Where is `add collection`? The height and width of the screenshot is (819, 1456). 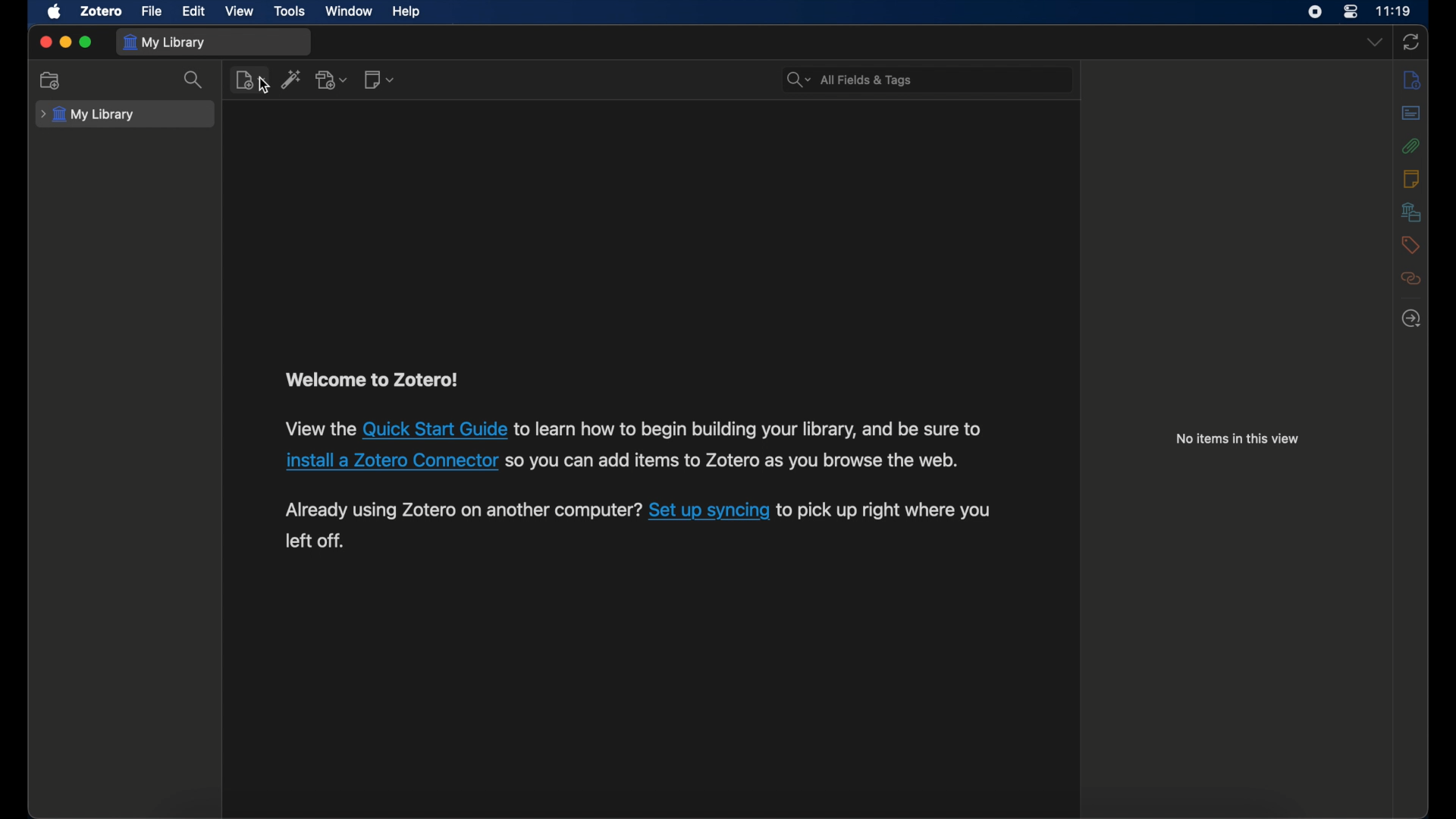 add collection is located at coordinates (51, 80).